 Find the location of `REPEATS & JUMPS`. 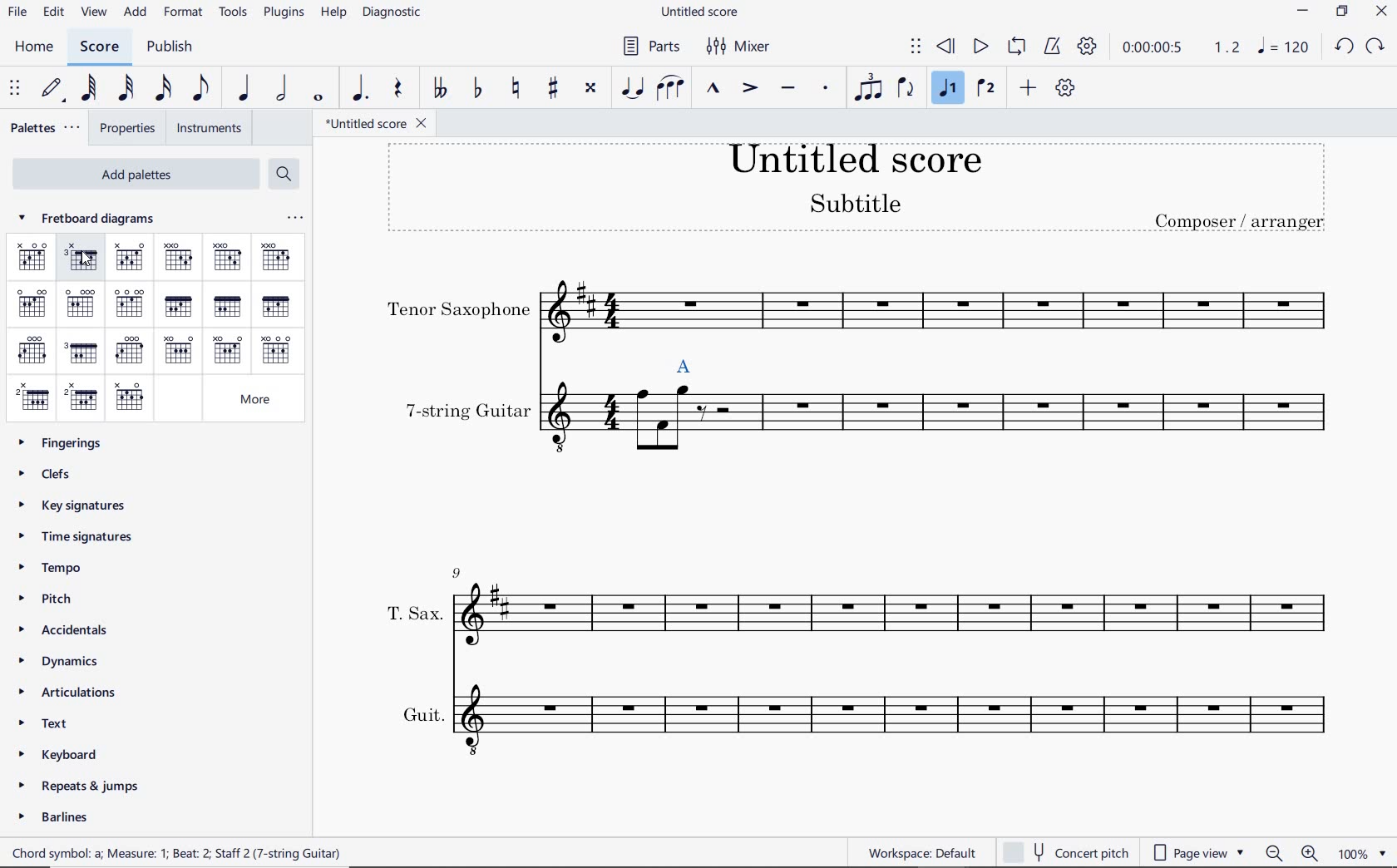

REPEATS & JUMPS is located at coordinates (83, 784).